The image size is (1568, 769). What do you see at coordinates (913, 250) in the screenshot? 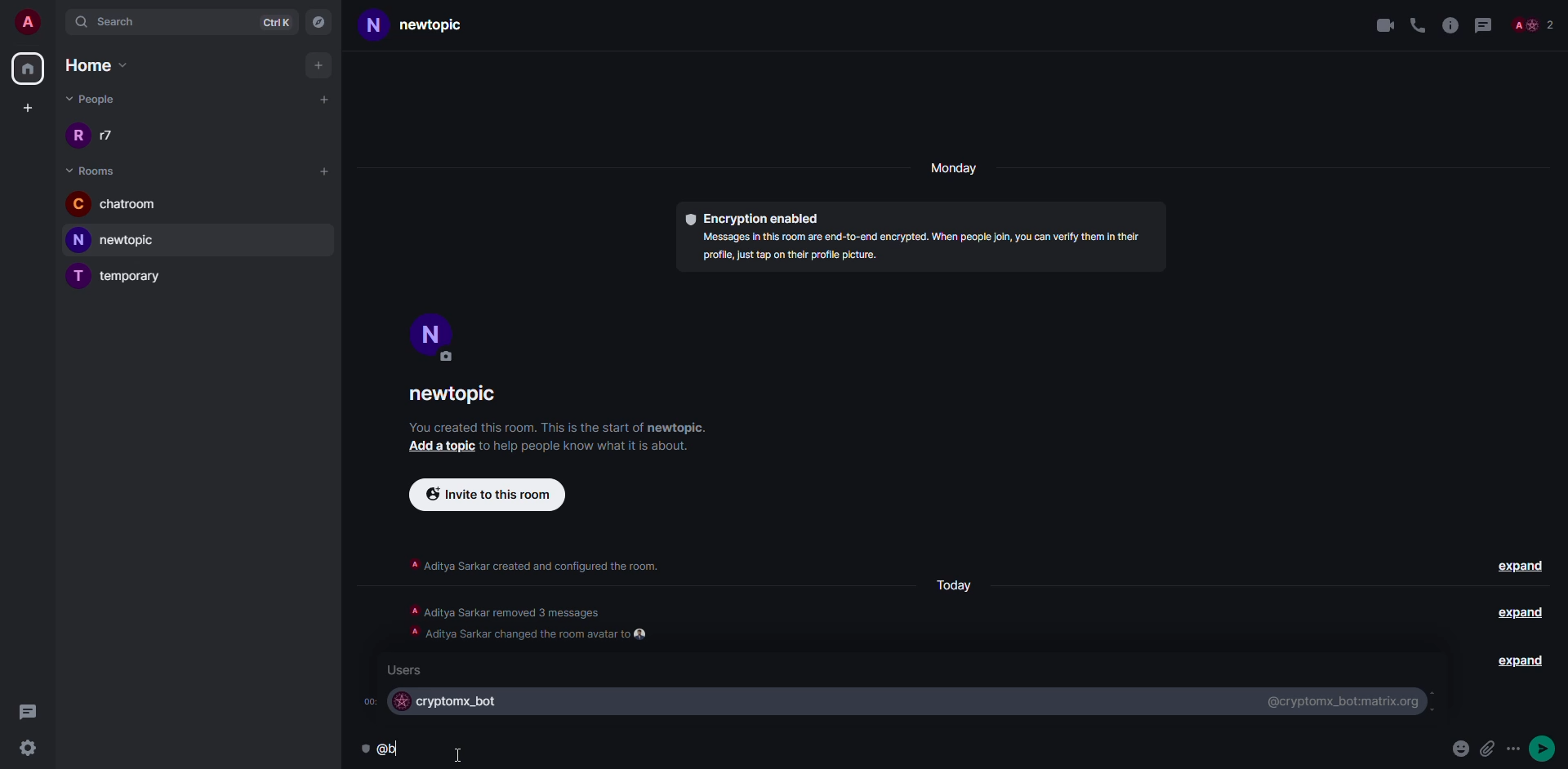
I see `Messages in this room are end-to-end encrypted. When people join, you can verify them In theirprofile, just tap on their profile picture.` at bounding box center [913, 250].